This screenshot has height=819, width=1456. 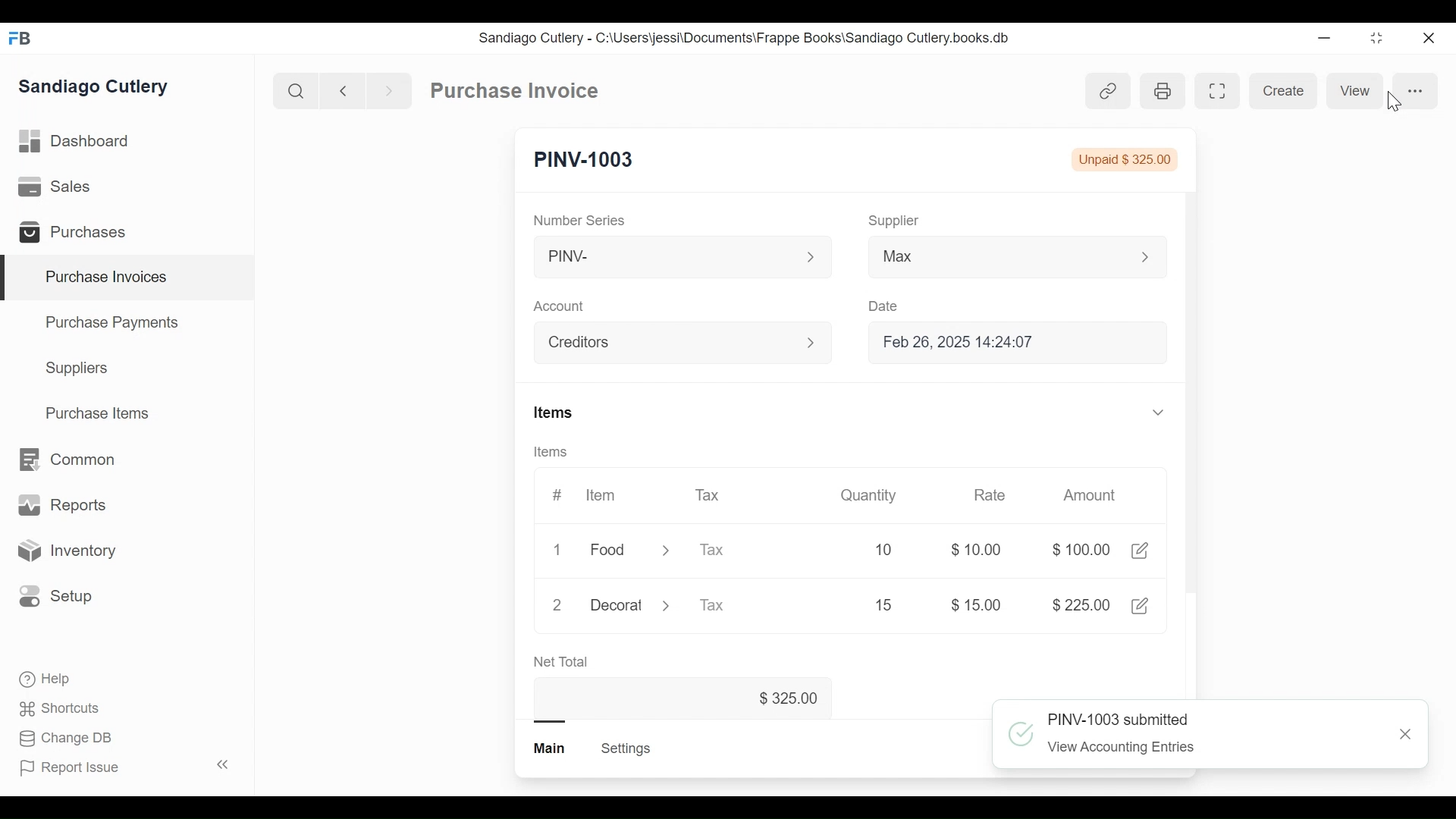 I want to click on PINV-, so click(x=664, y=257).